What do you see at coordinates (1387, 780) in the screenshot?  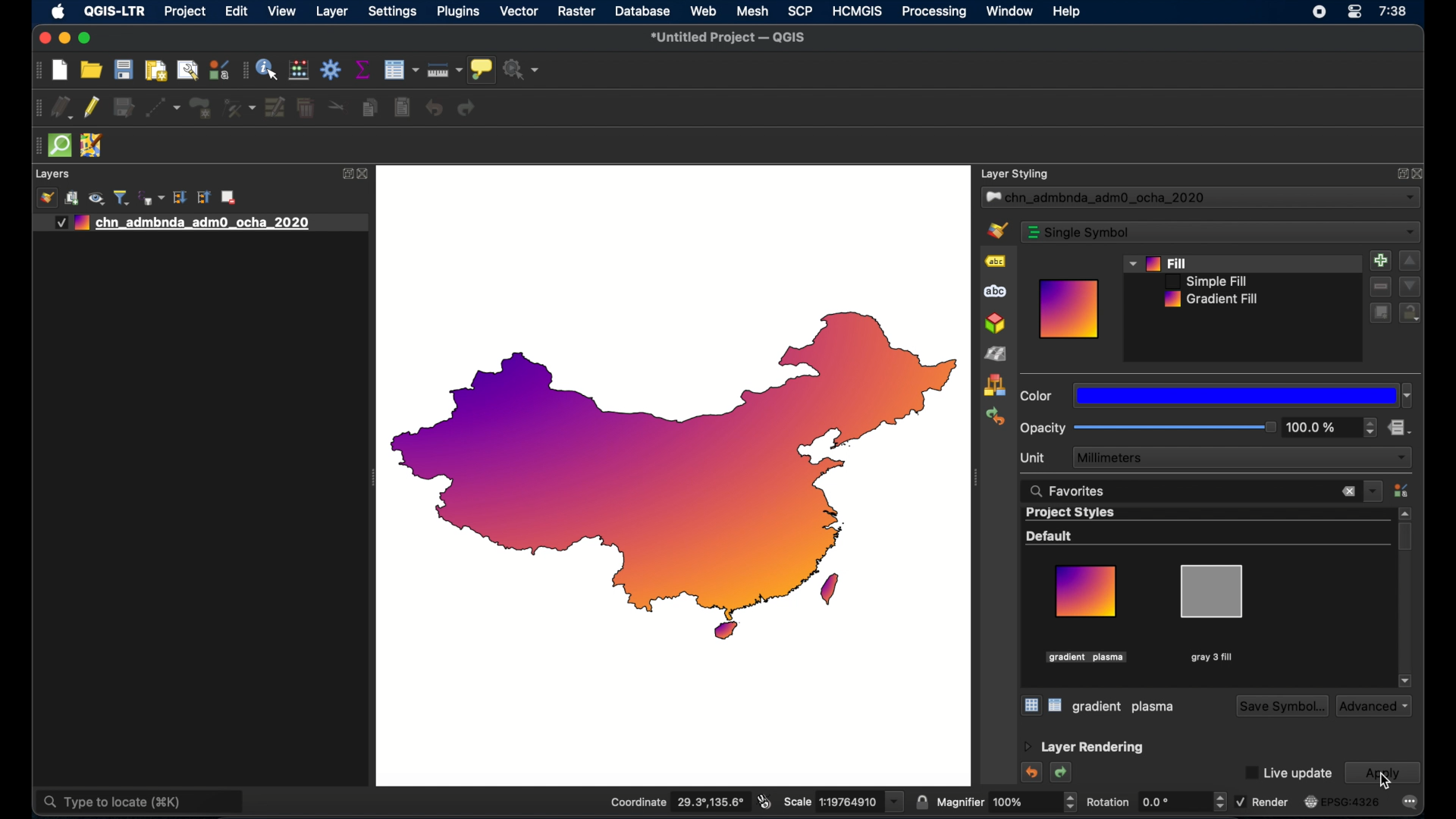 I see `cursor` at bounding box center [1387, 780].